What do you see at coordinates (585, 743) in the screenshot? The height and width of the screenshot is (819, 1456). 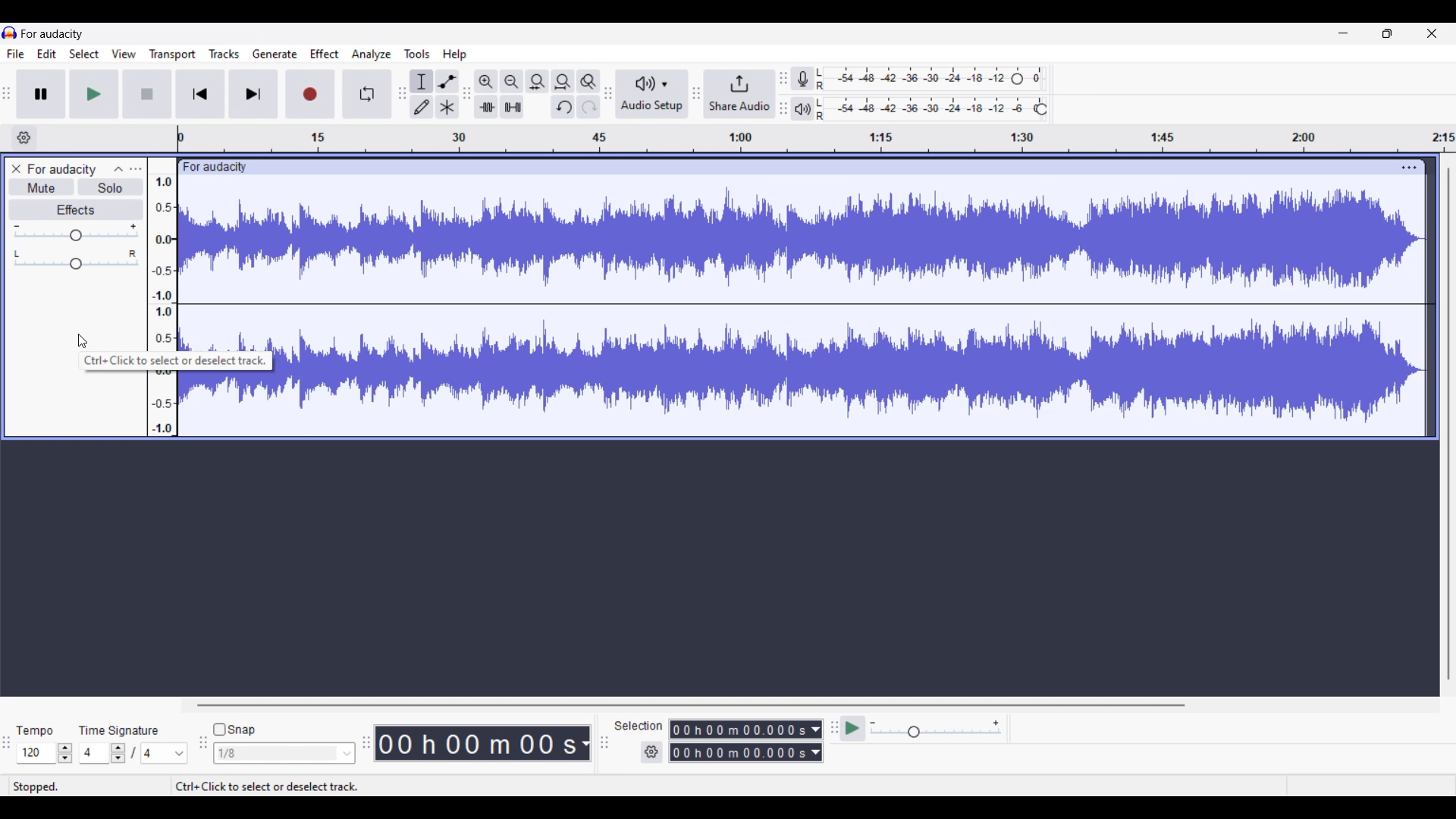 I see `Duration measurement options` at bounding box center [585, 743].